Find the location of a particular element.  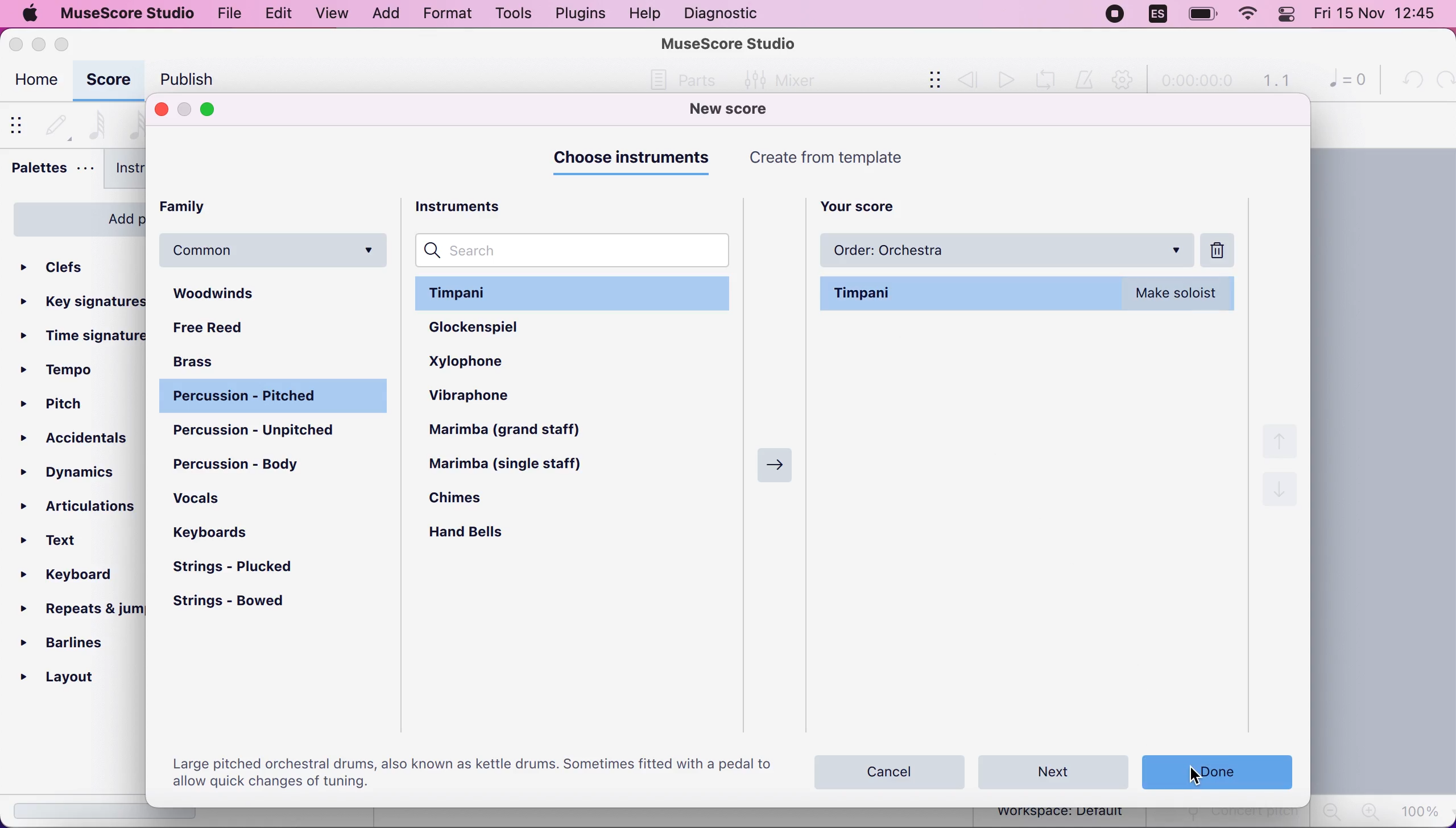

metronome is located at coordinates (1086, 80).